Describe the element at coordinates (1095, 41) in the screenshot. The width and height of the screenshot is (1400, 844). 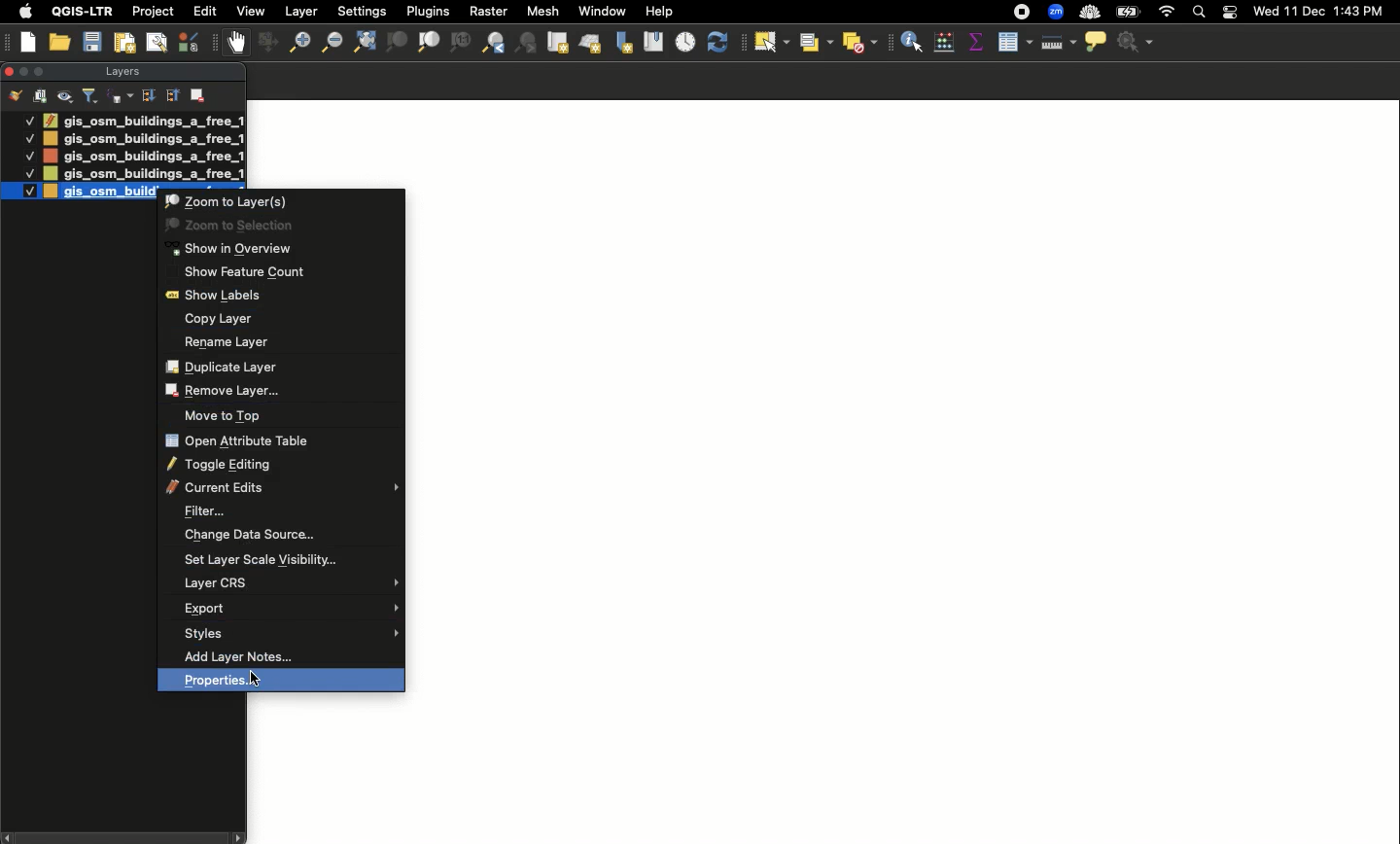
I see `Show map tips` at that location.